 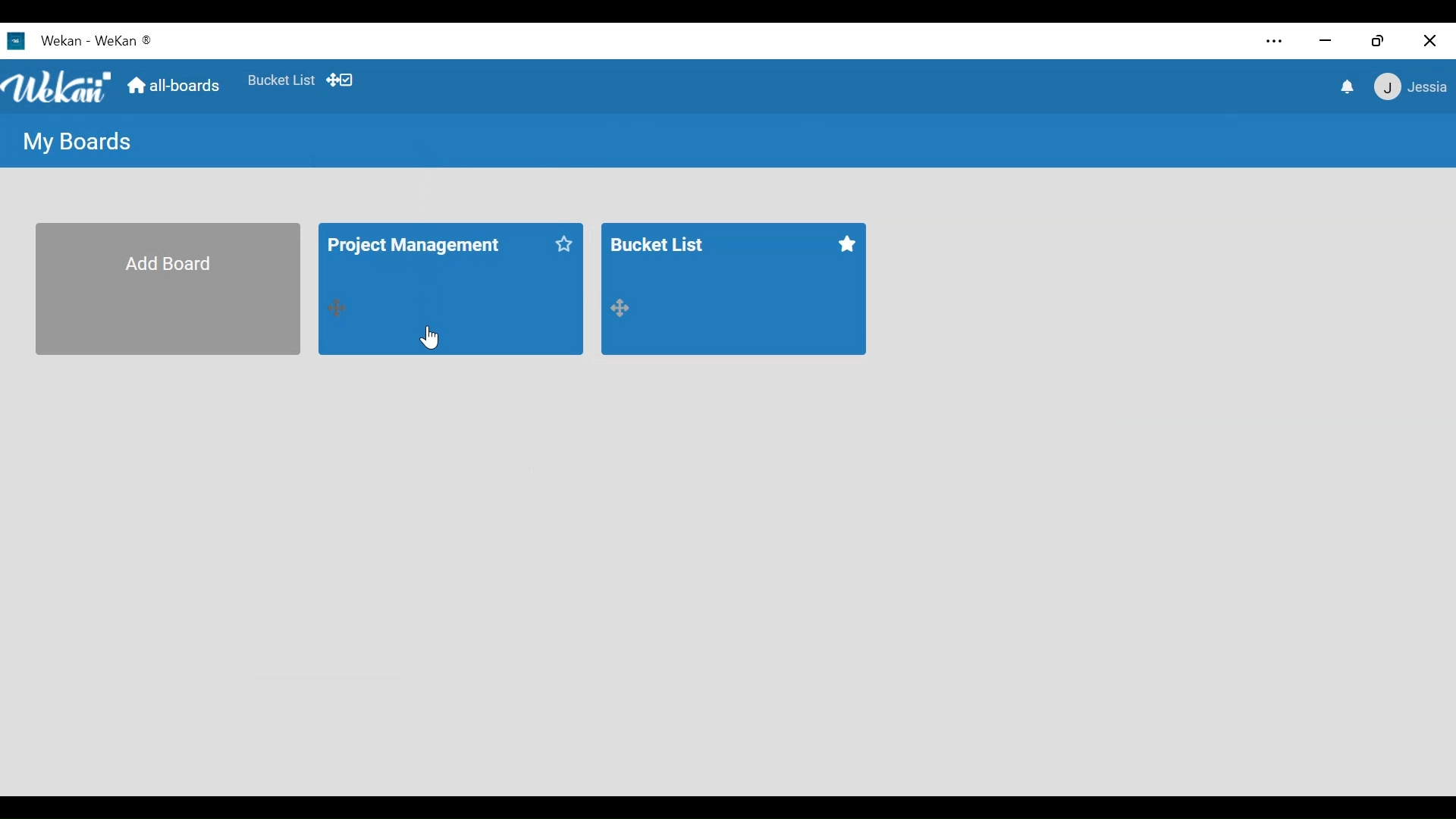 I want to click on Wekan logo, so click(x=58, y=86).